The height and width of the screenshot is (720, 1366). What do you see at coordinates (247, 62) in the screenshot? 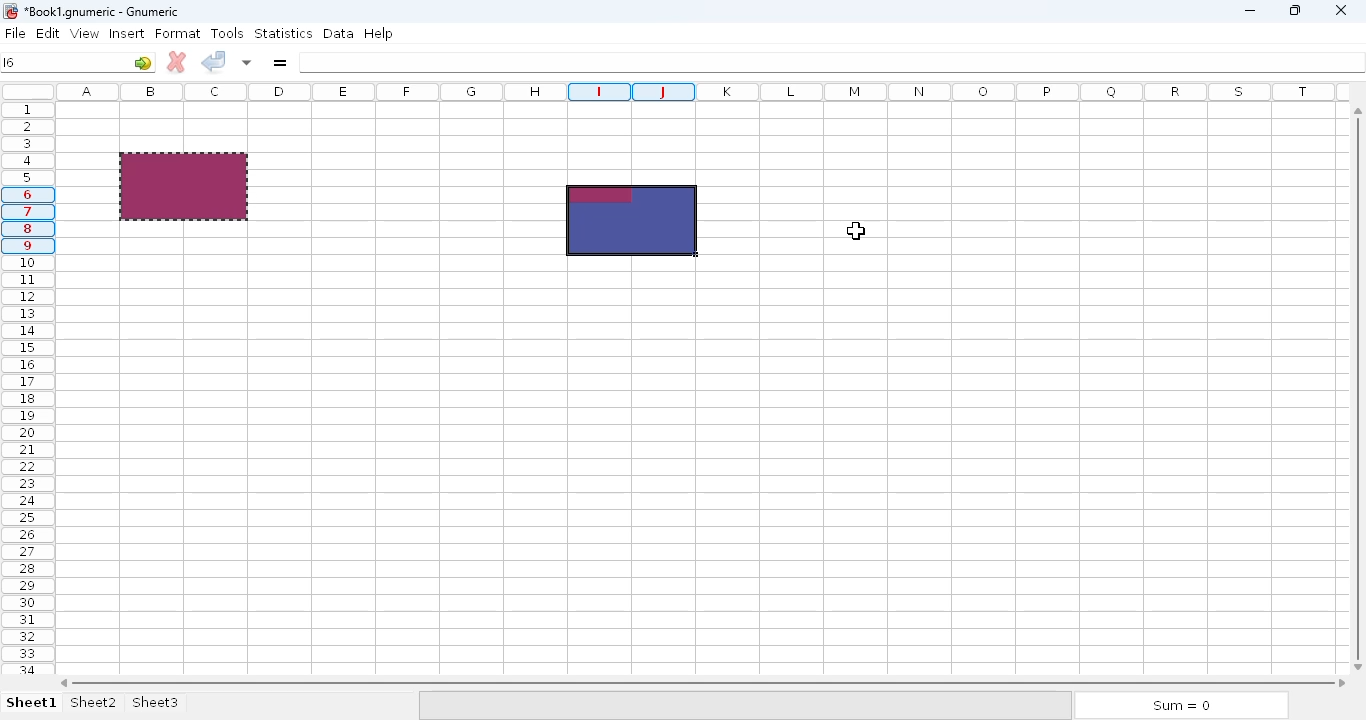
I see `accept changes in multiple cells` at bounding box center [247, 62].